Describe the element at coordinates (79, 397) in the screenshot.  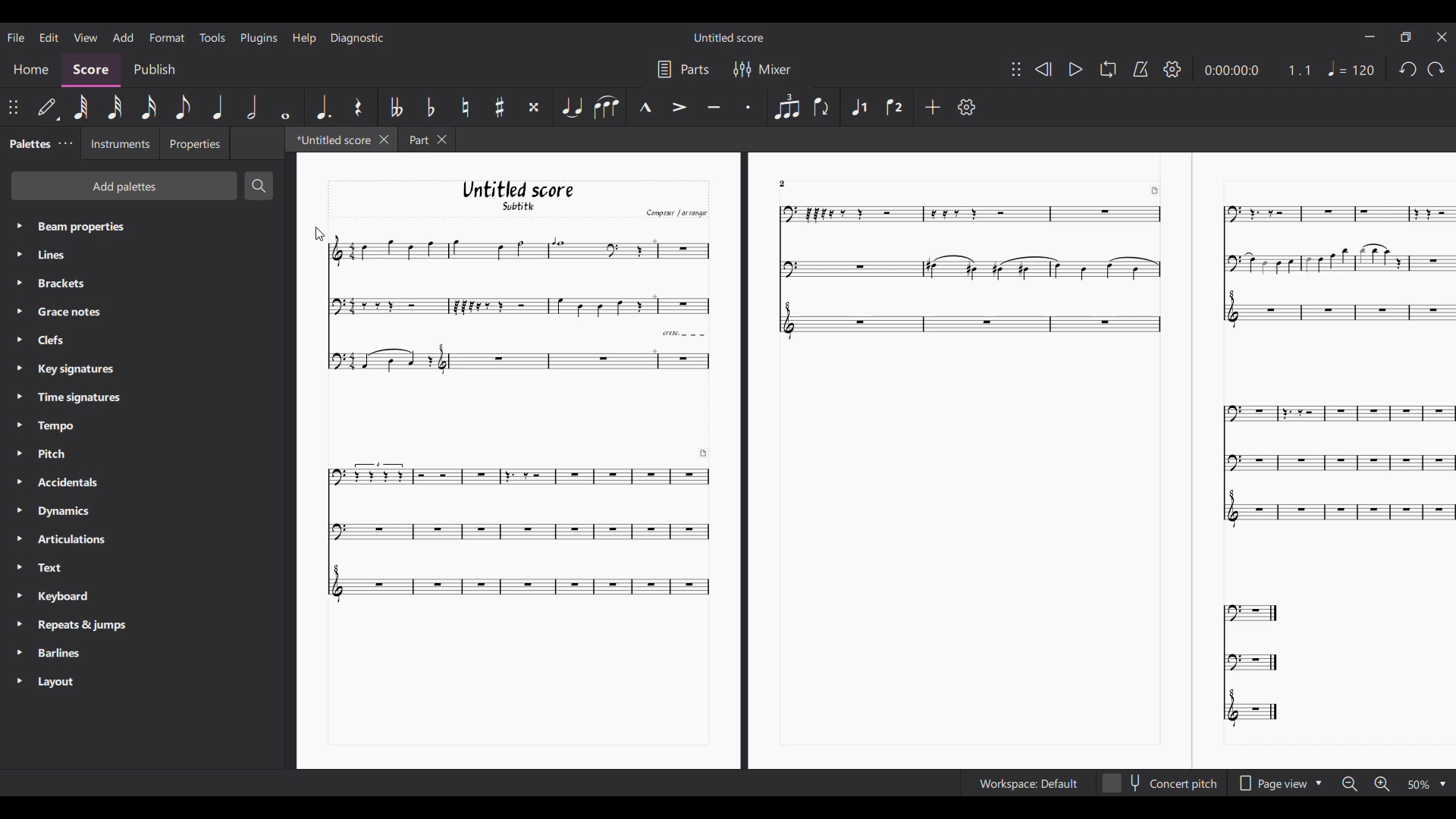
I see `Time Signatures` at that location.